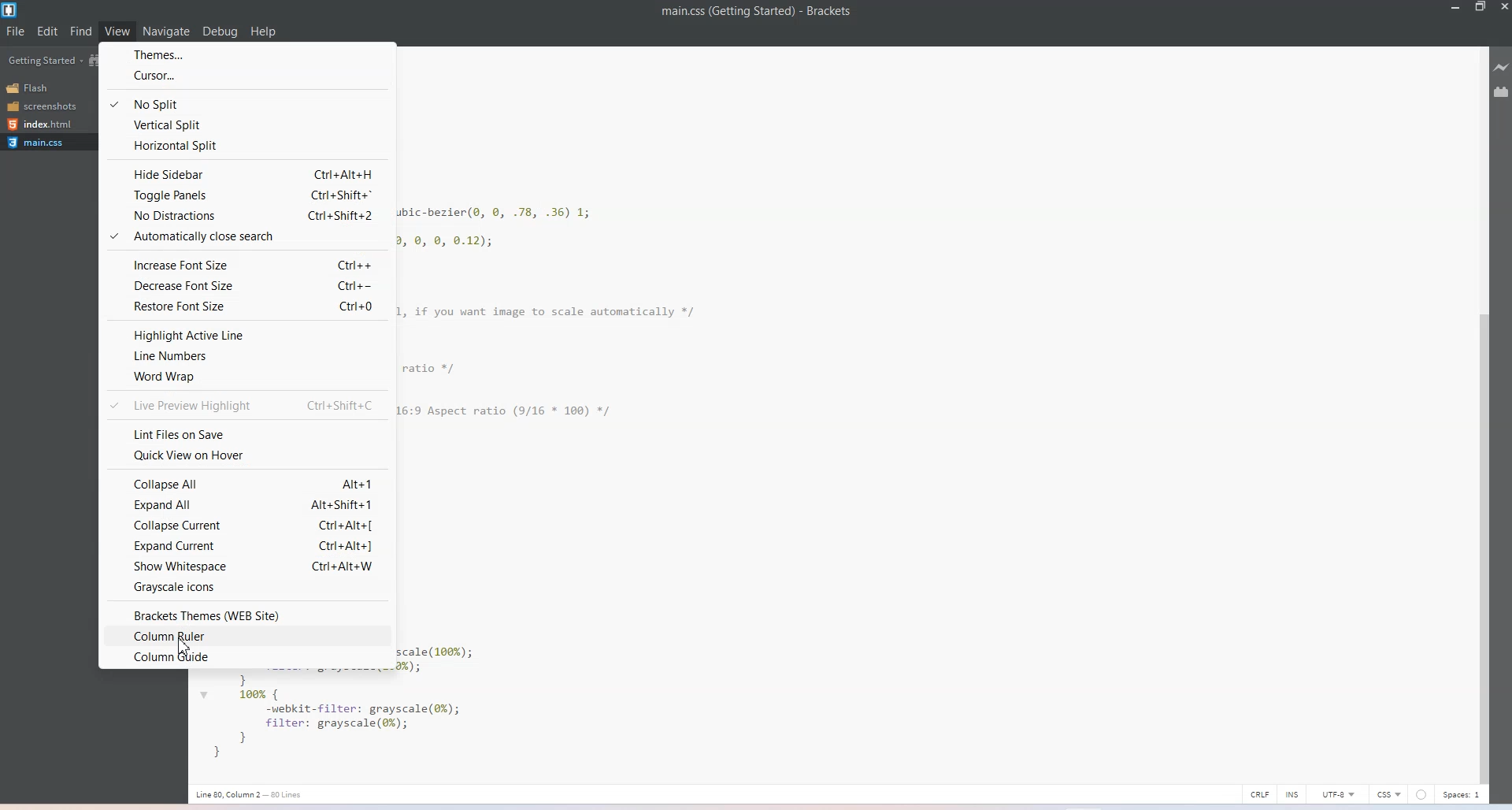 This screenshot has height=810, width=1512. Describe the element at coordinates (1260, 793) in the screenshot. I see `CRLF` at that location.